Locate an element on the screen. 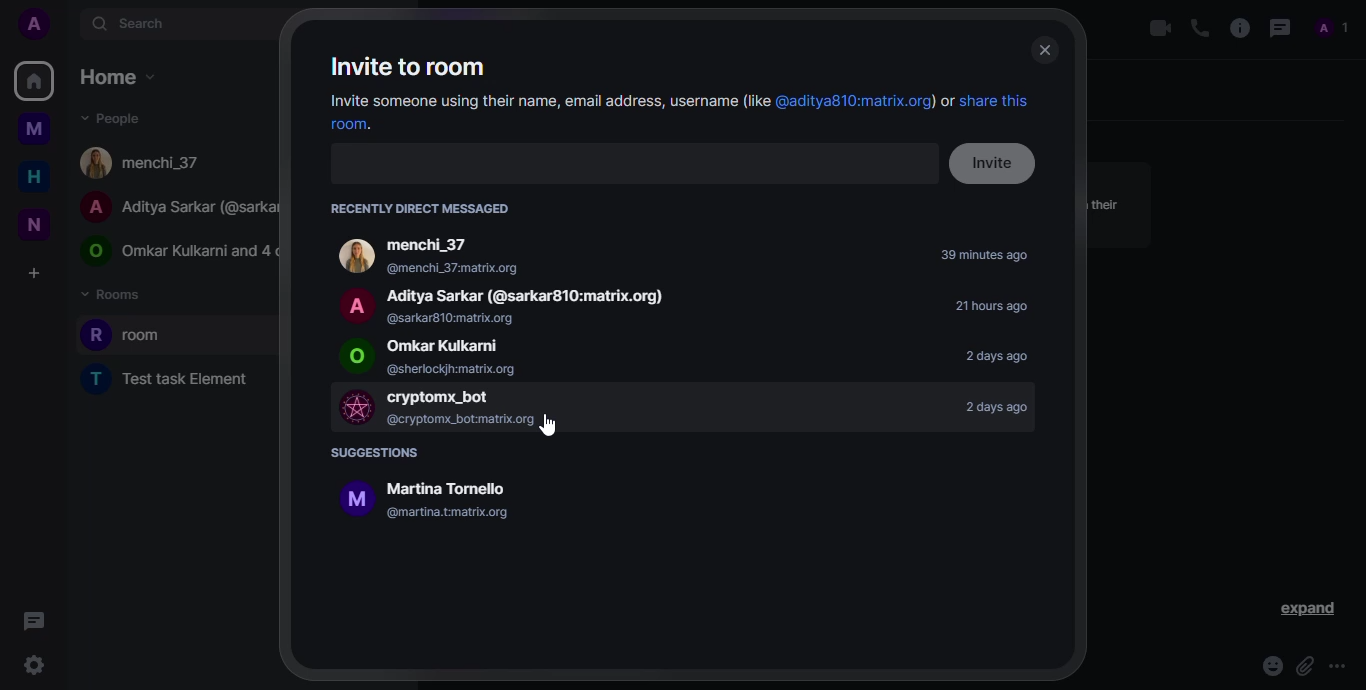  expand is located at coordinates (1304, 609).